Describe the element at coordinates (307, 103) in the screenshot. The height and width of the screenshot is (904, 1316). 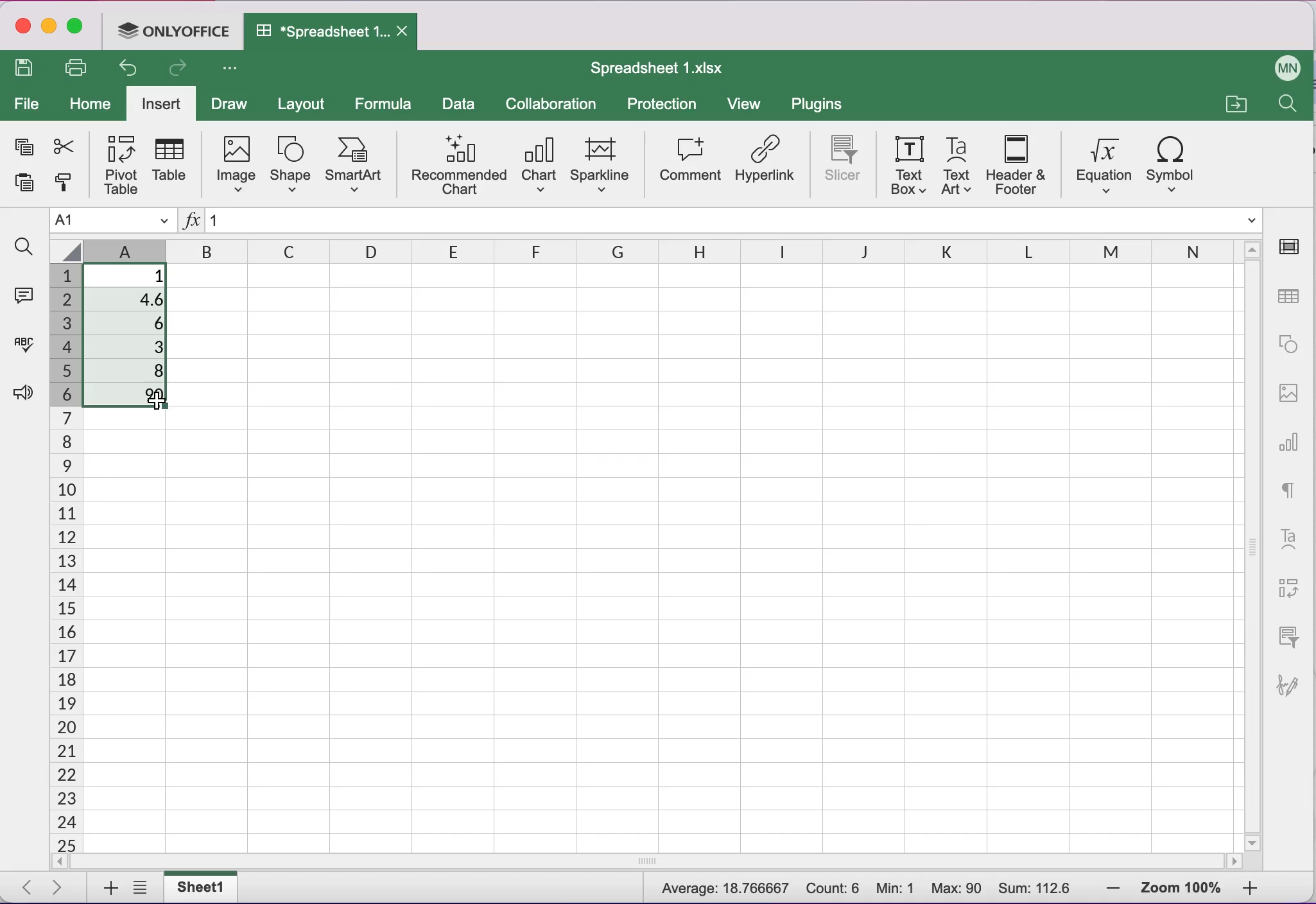
I see `layout` at that location.